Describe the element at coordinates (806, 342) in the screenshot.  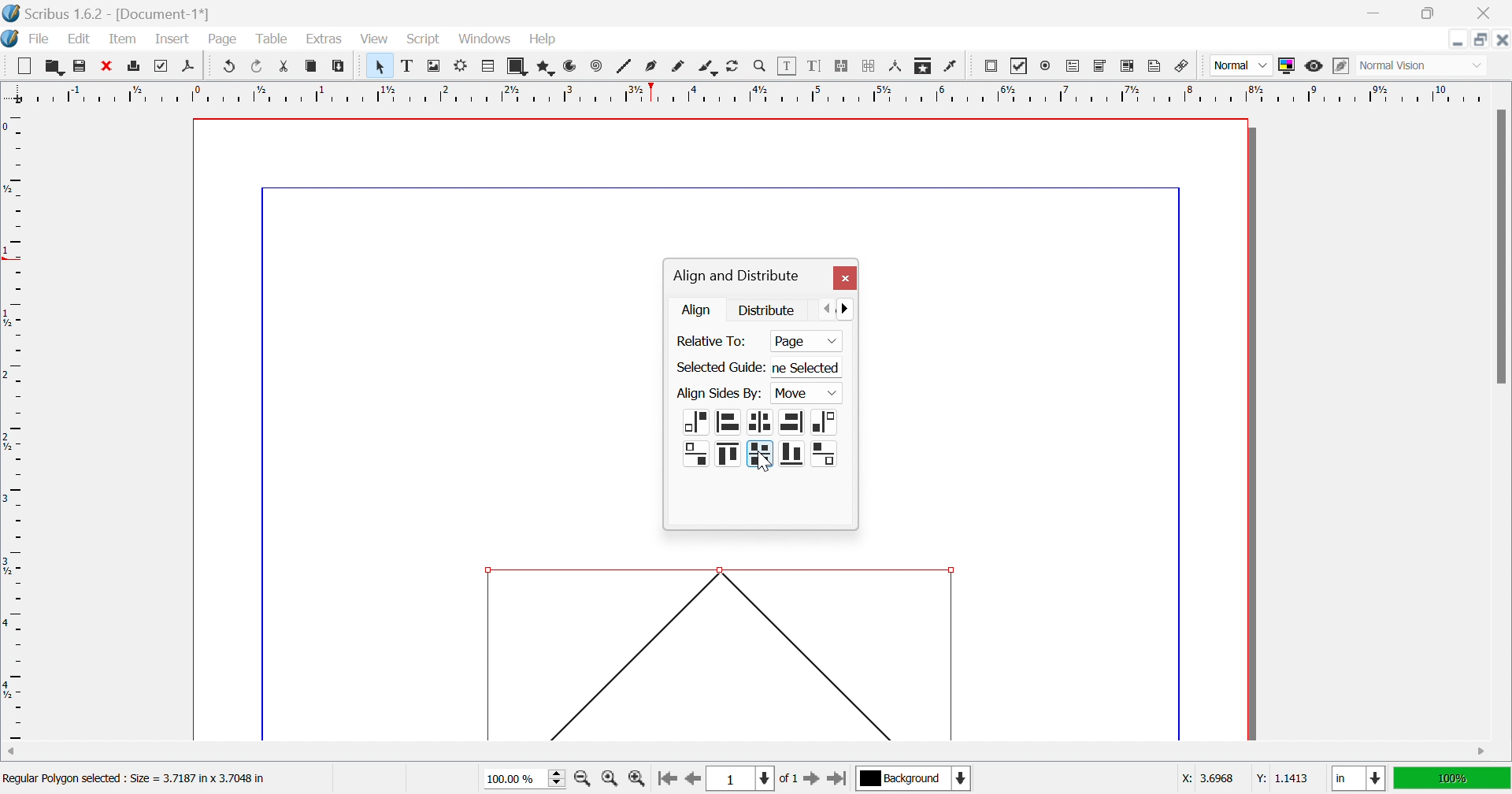
I see `Page` at that location.